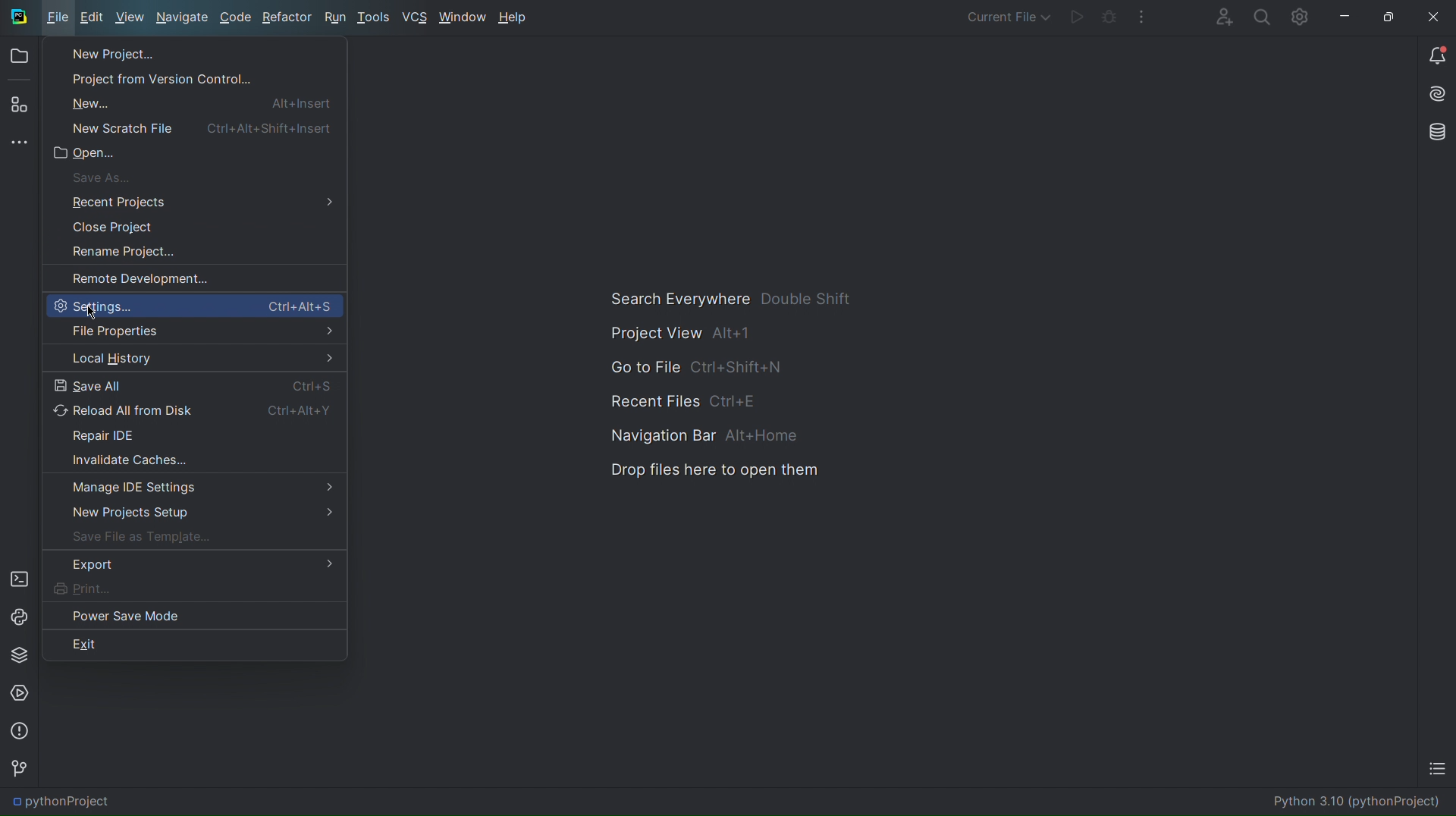  Describe the element at coordinates (676, 332) in the screenshot. I see `Project View` at that location.